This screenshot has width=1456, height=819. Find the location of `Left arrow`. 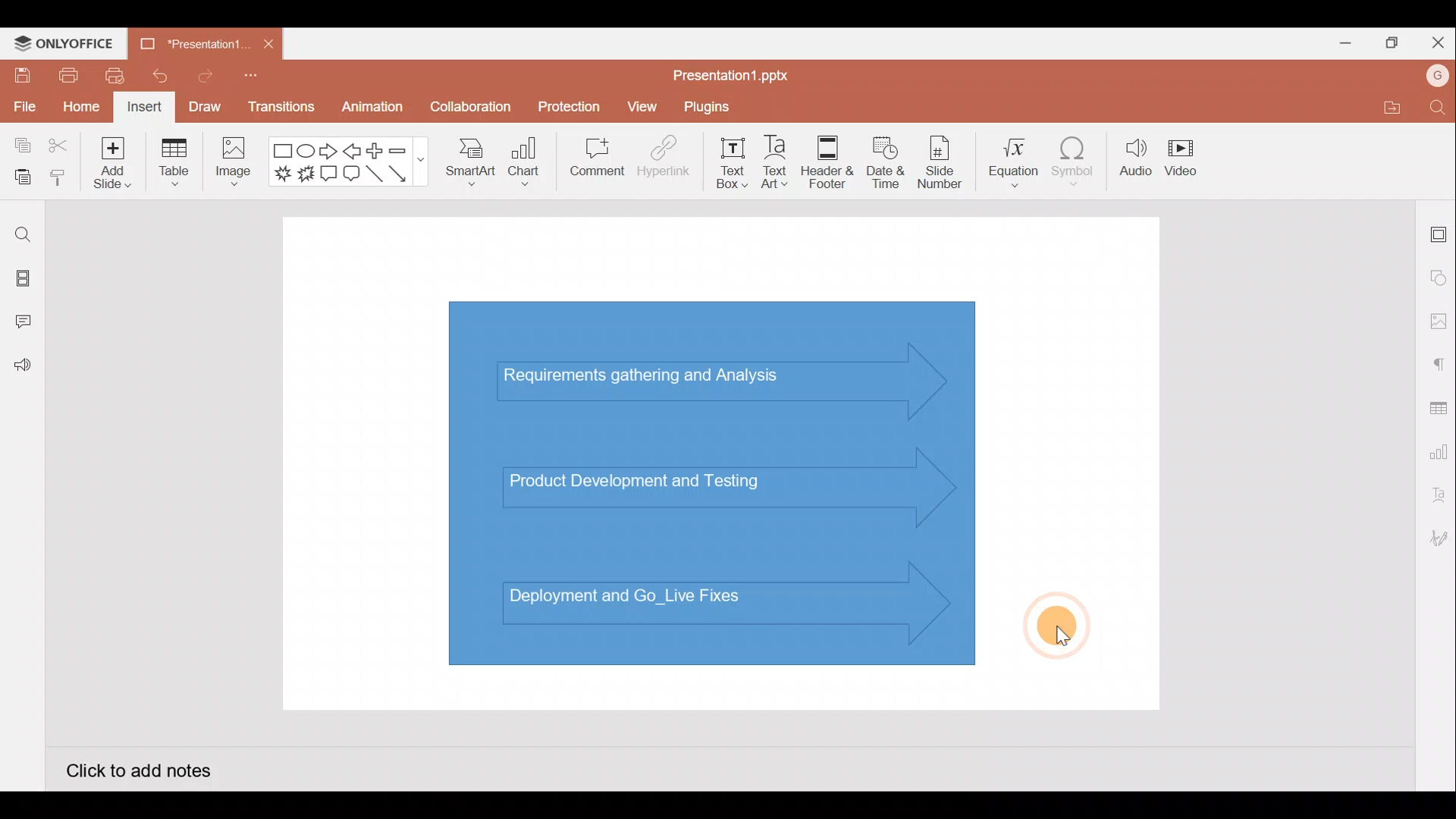

Left arrow is located at coordinates (353, 151).